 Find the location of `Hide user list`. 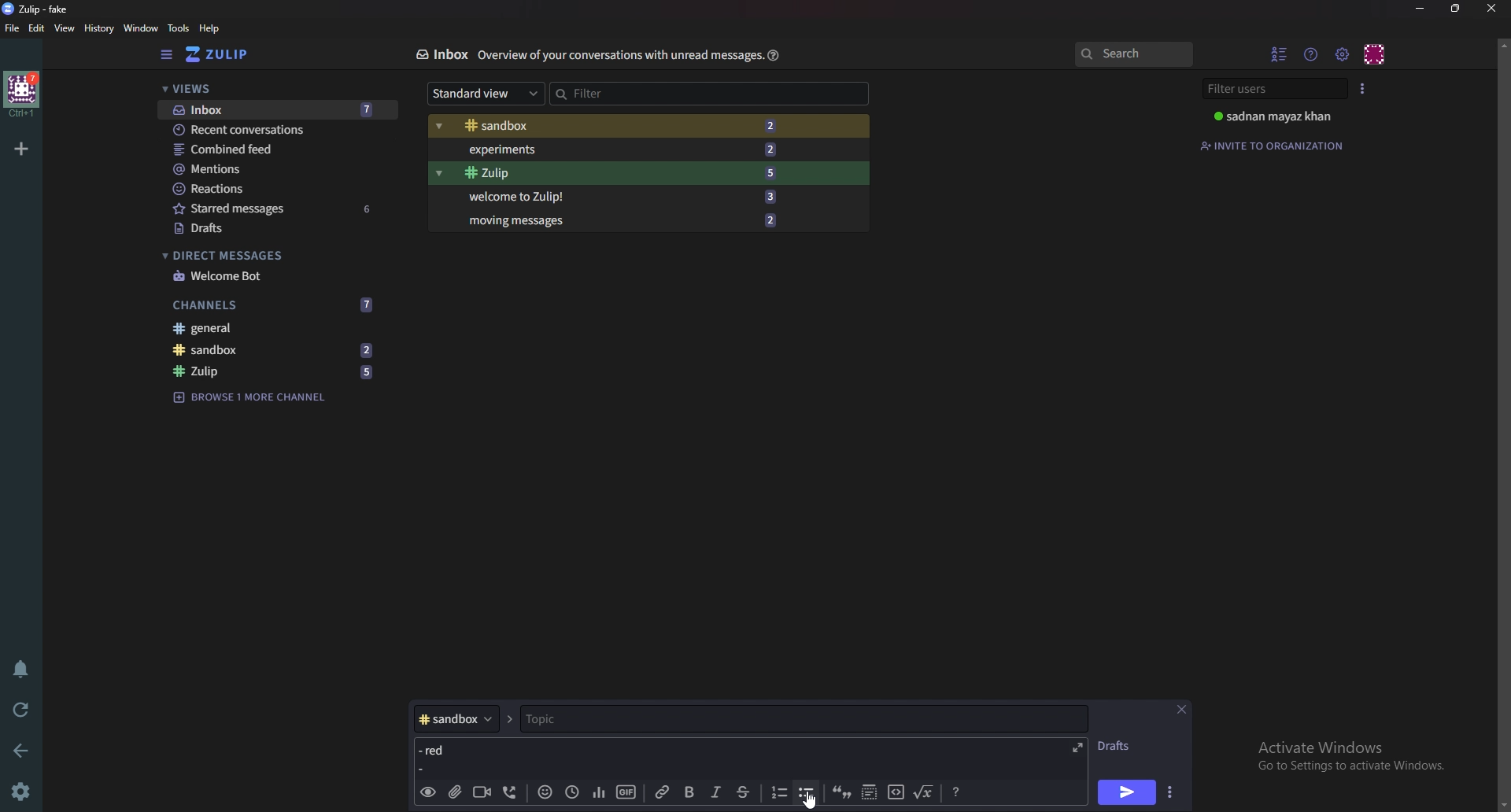

Hide user list is located at coordinates (1280, 54).